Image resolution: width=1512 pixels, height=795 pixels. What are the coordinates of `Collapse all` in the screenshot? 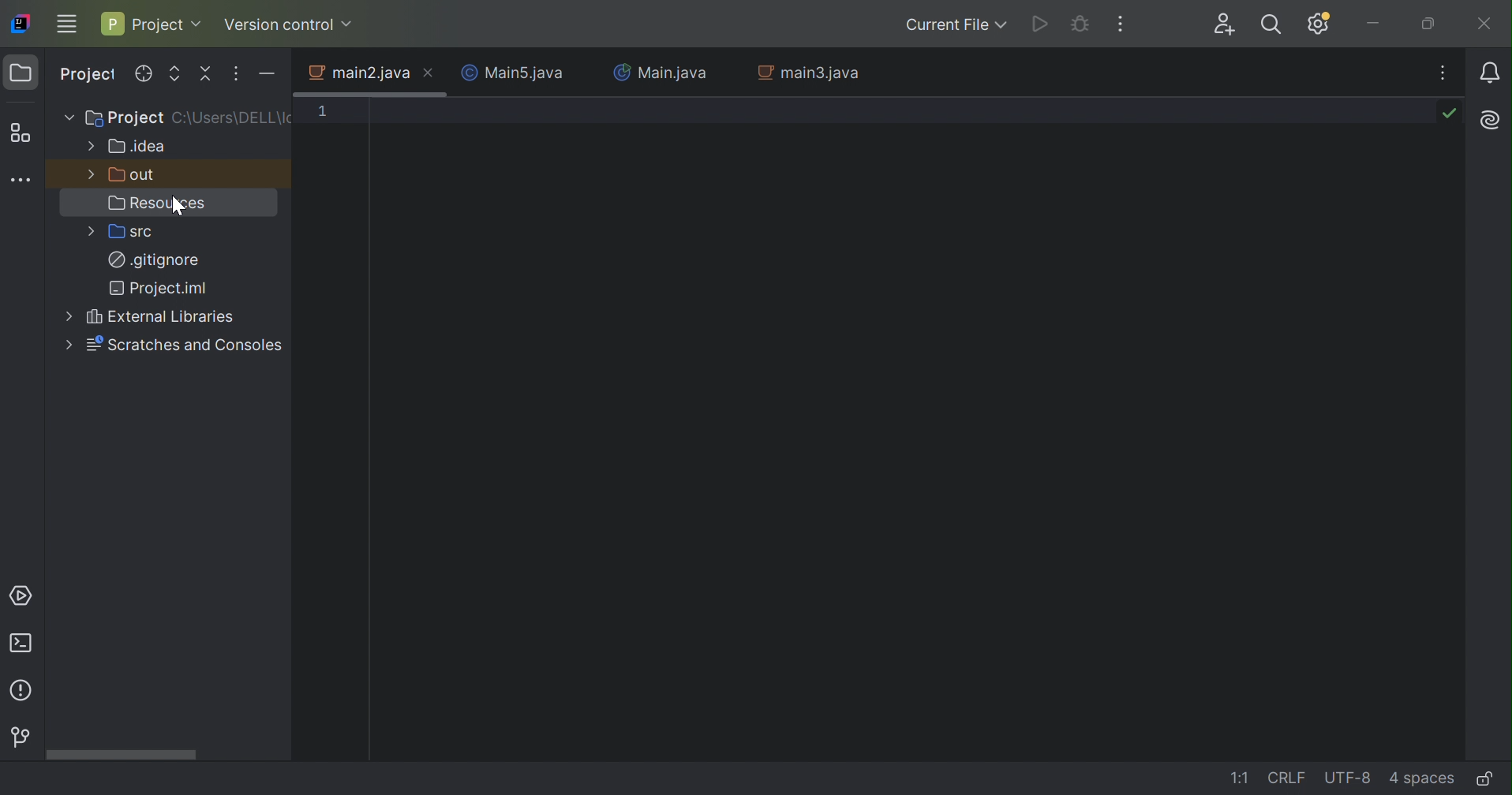 It's located at (204, 73).